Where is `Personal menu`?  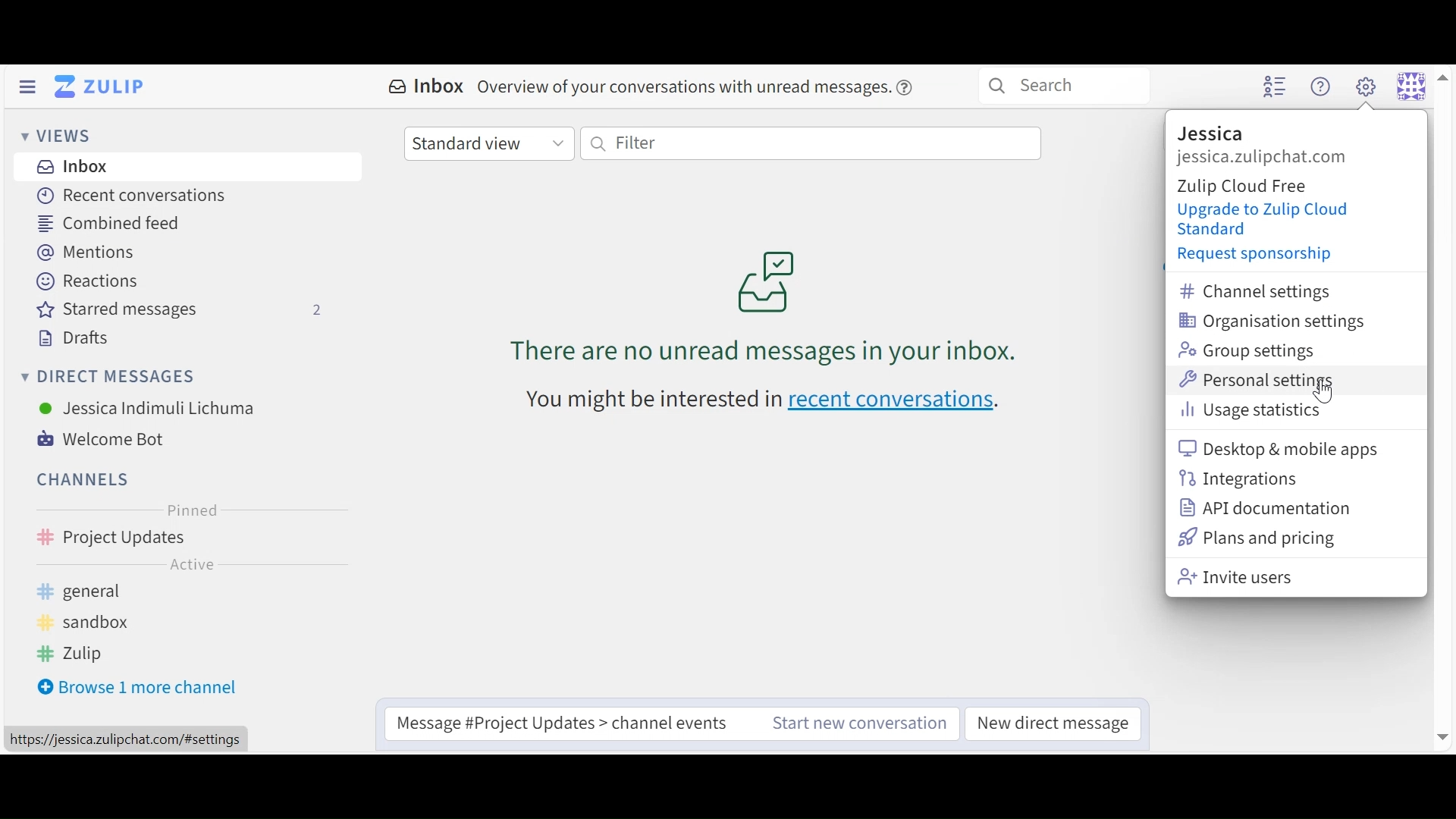 Personal menu is located at coordinates (1412, 87).